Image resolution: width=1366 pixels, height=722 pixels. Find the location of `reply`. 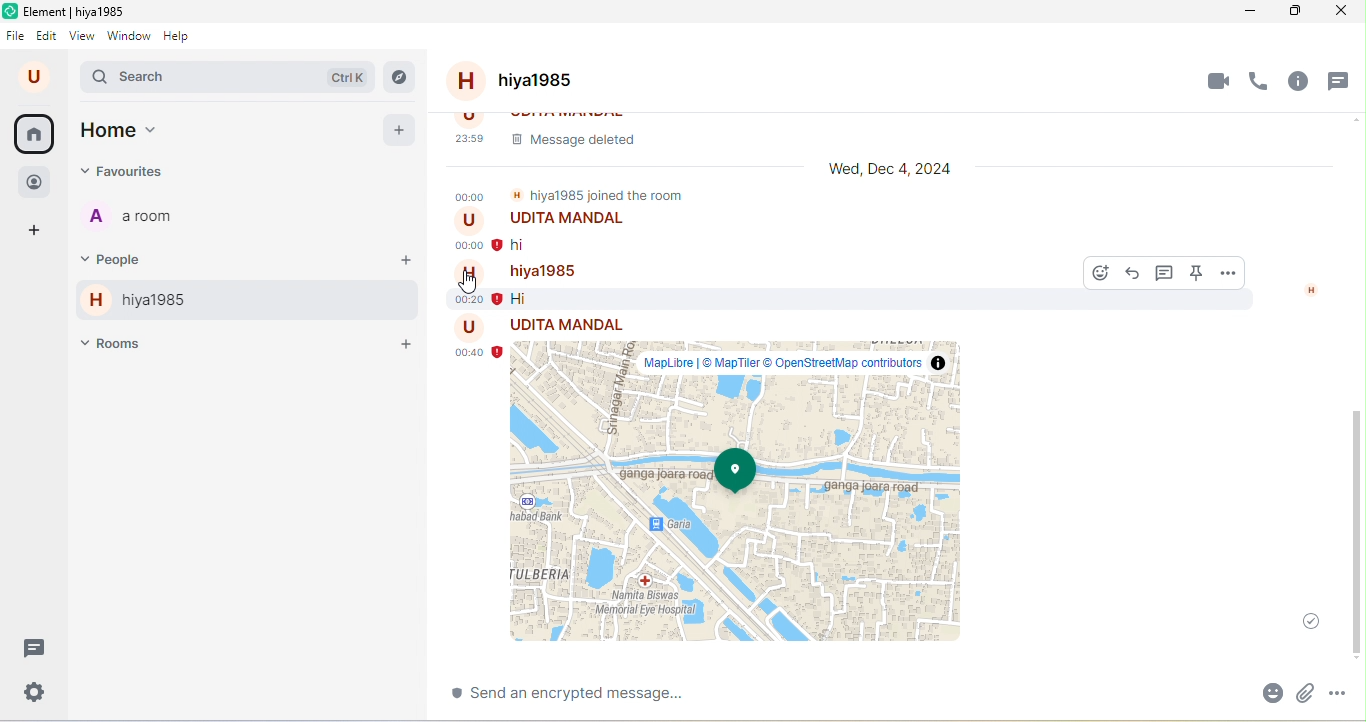

reply is located at coordinates (1131, 274).